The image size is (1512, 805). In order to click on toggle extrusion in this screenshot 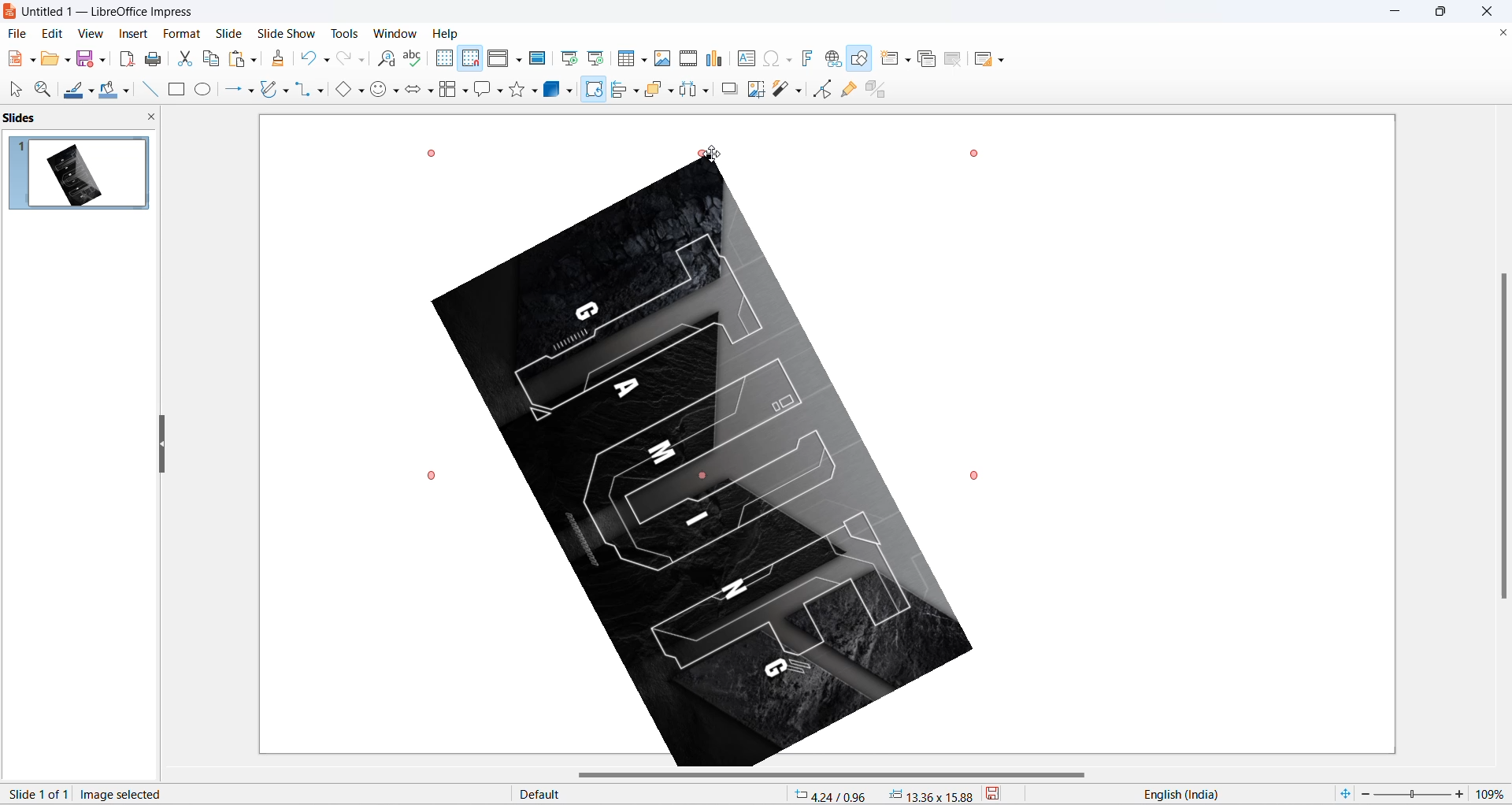, I will do `click(881, 87)`.